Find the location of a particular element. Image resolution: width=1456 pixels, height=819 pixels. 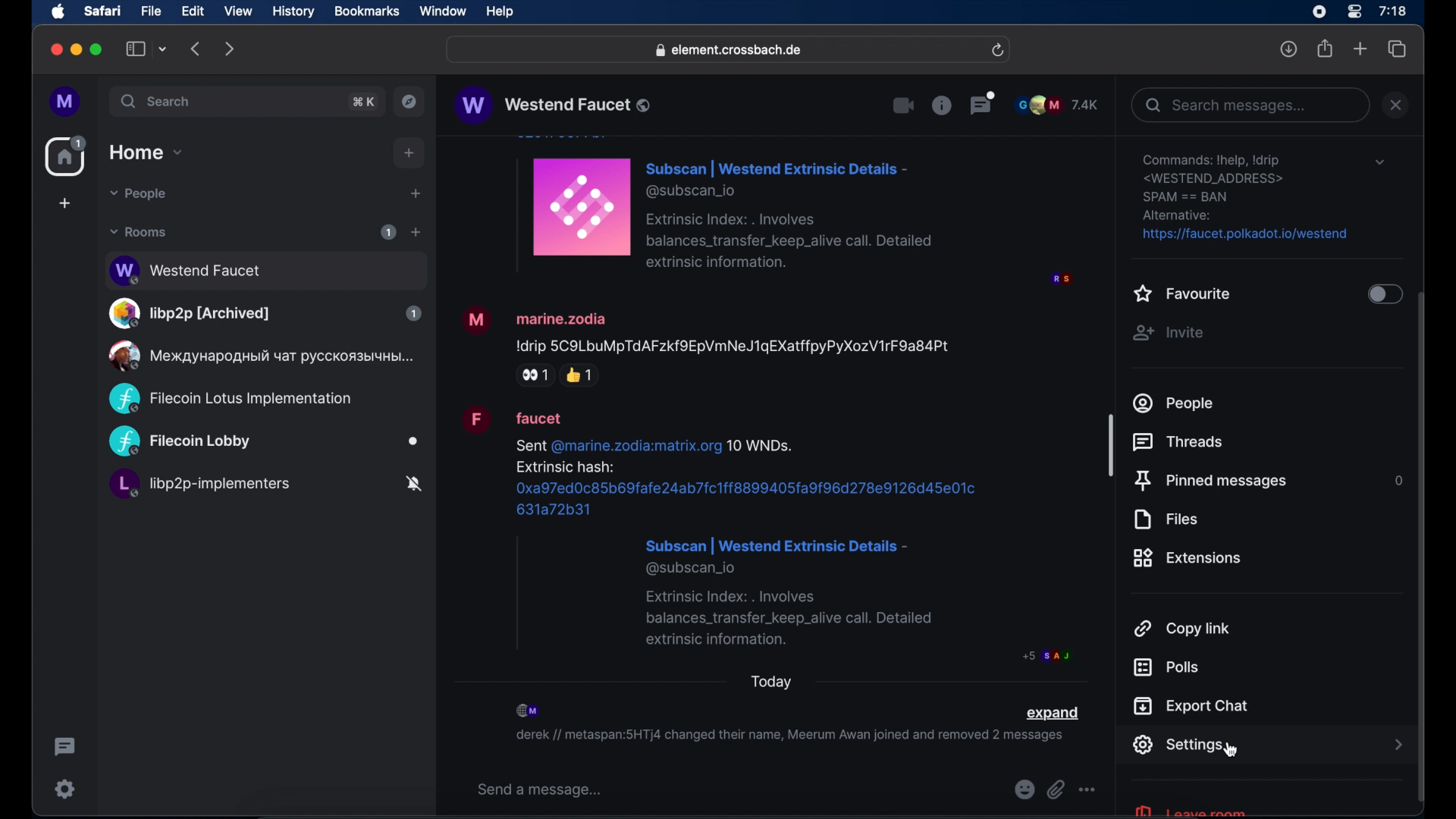

forward is located at coordinates (230, 49).